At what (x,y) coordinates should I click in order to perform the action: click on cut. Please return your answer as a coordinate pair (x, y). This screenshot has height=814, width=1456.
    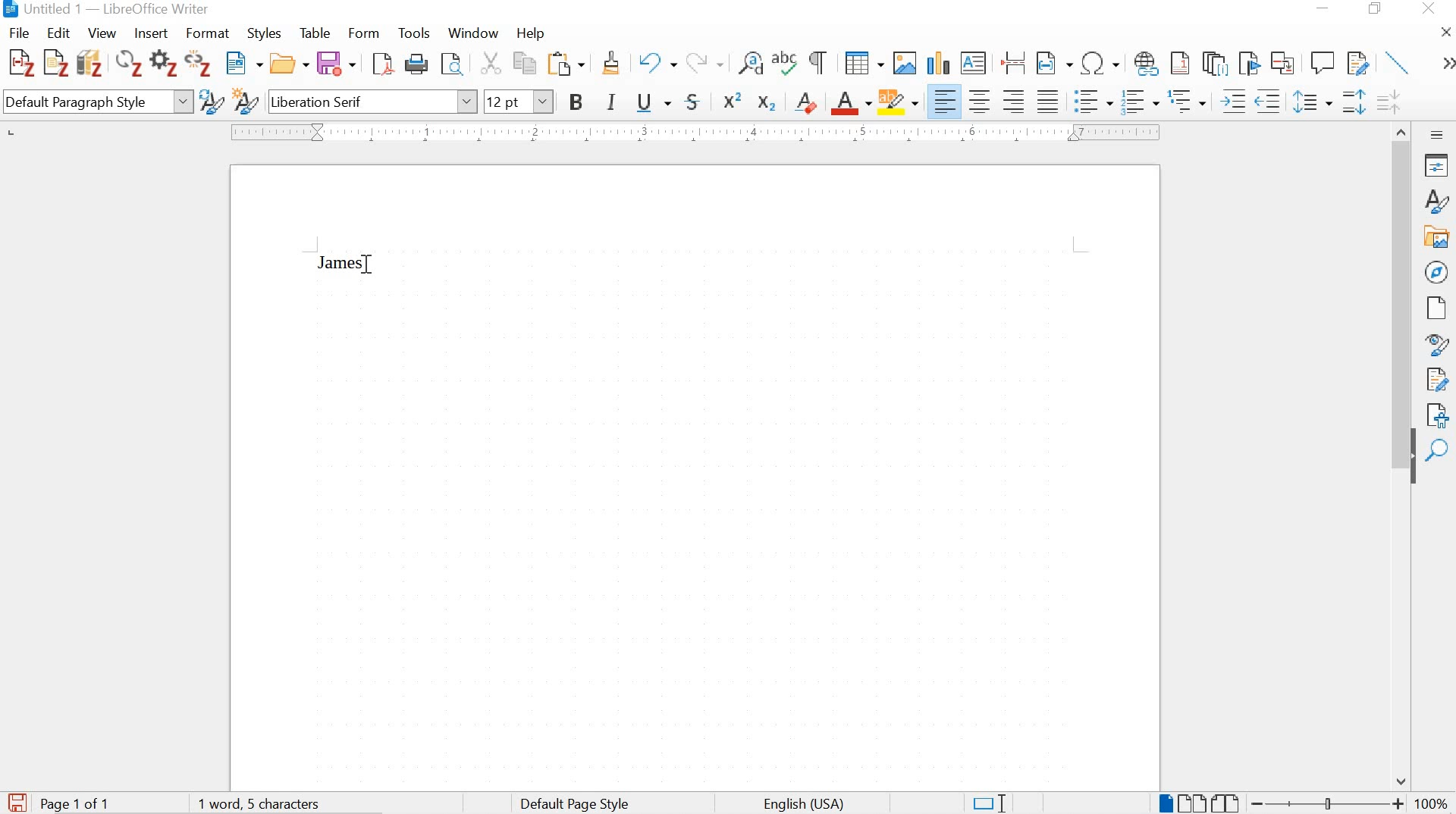
    Looking at the image, I should click on (490, 65).